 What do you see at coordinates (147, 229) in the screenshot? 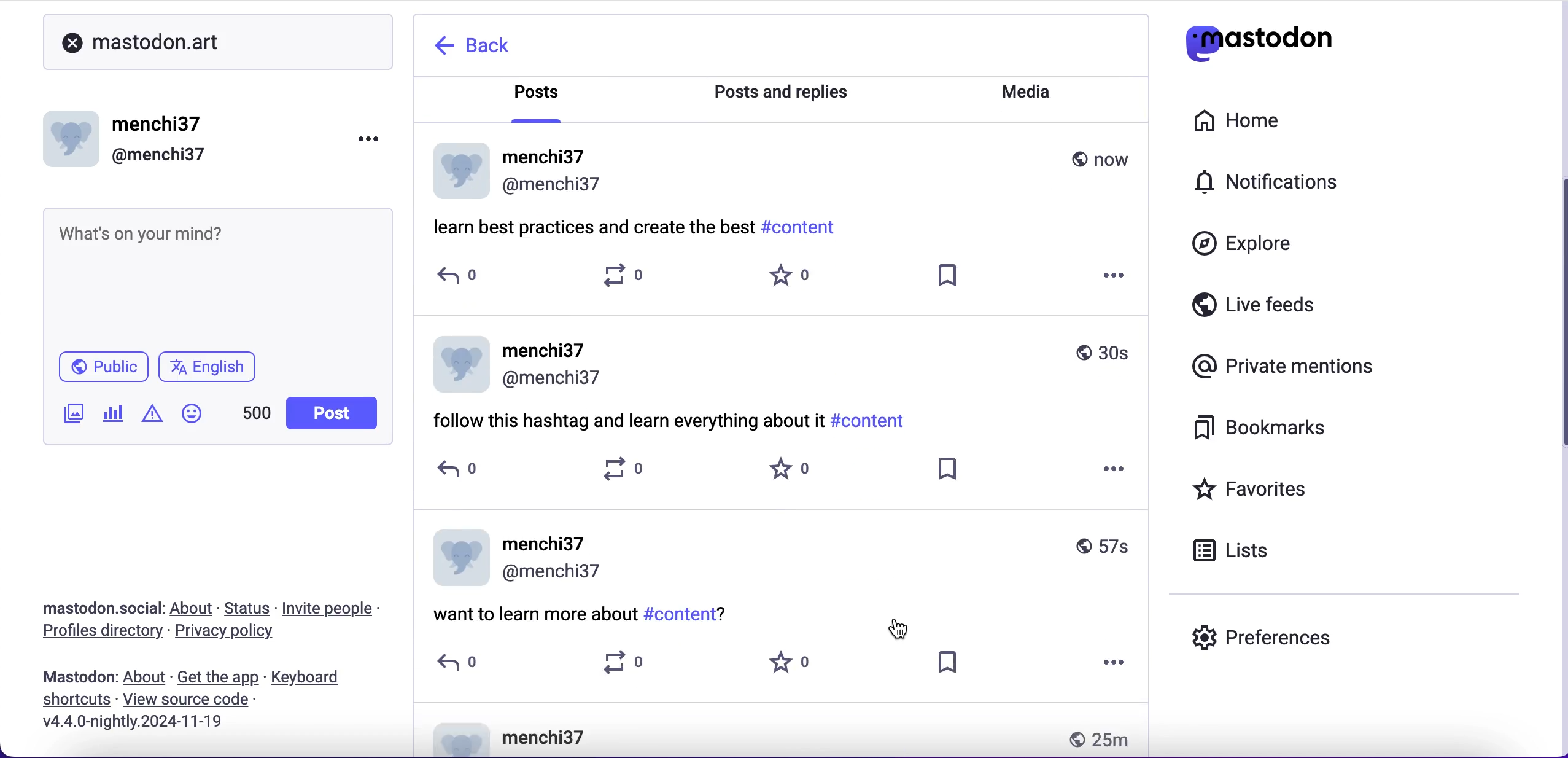
I see `text post` at bounding box center [147, 229].